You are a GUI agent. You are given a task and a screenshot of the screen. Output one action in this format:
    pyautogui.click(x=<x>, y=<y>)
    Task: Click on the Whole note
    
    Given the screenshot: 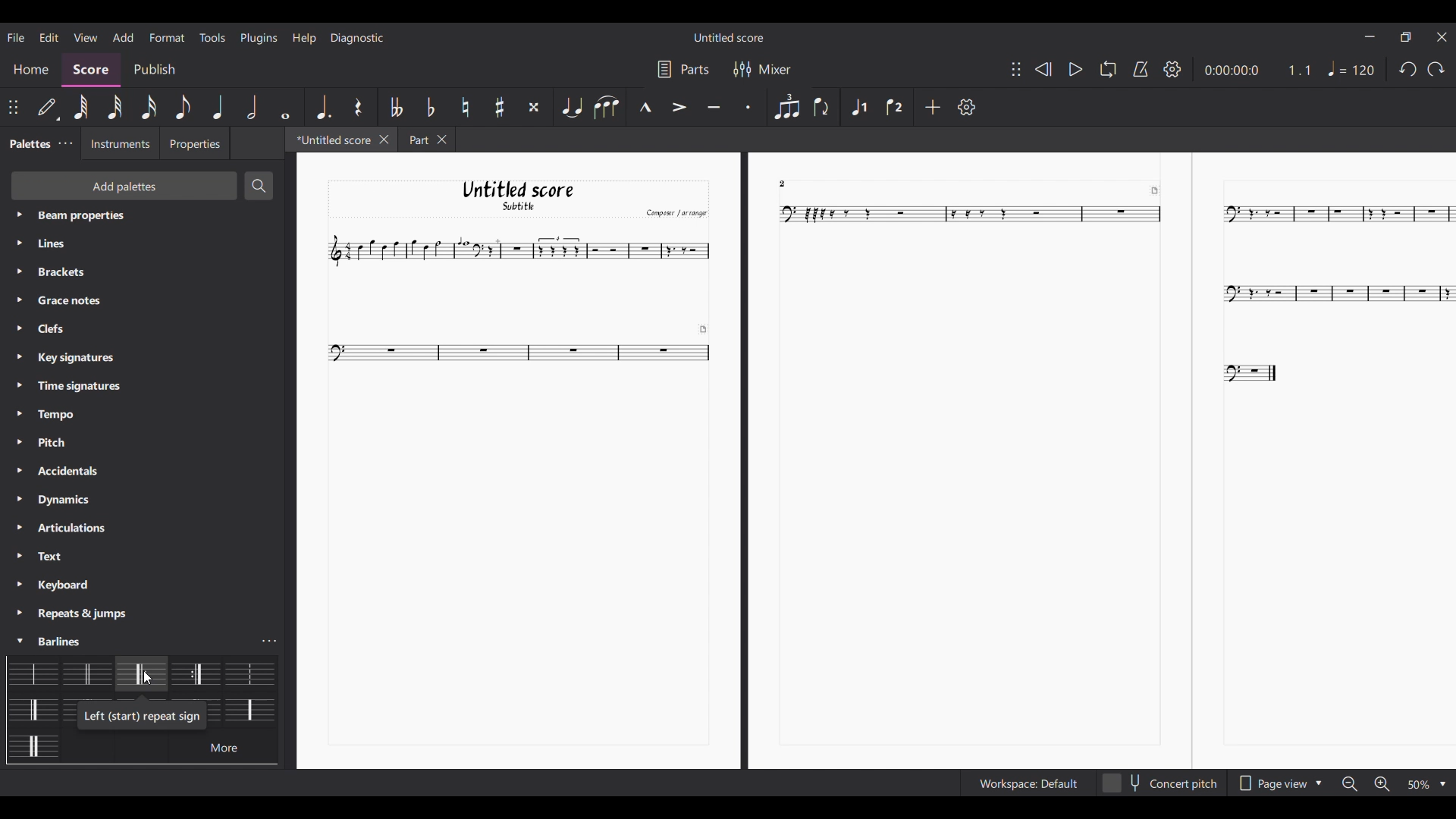 What is the action you would take?
    pyautogui.click(x=285, y=107)
    